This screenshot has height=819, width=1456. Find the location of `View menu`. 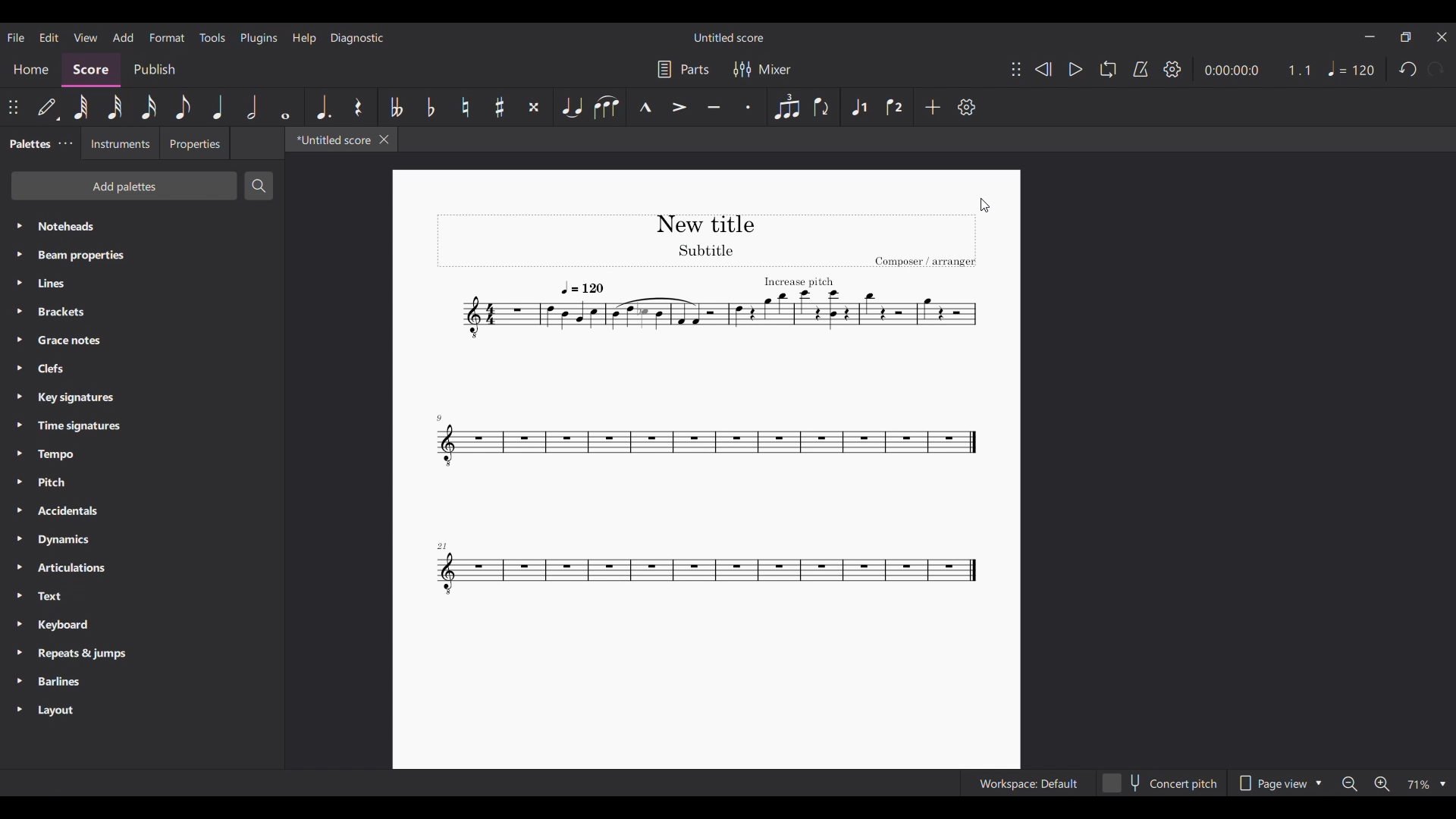

View menu is located at coordinates (85, 37).